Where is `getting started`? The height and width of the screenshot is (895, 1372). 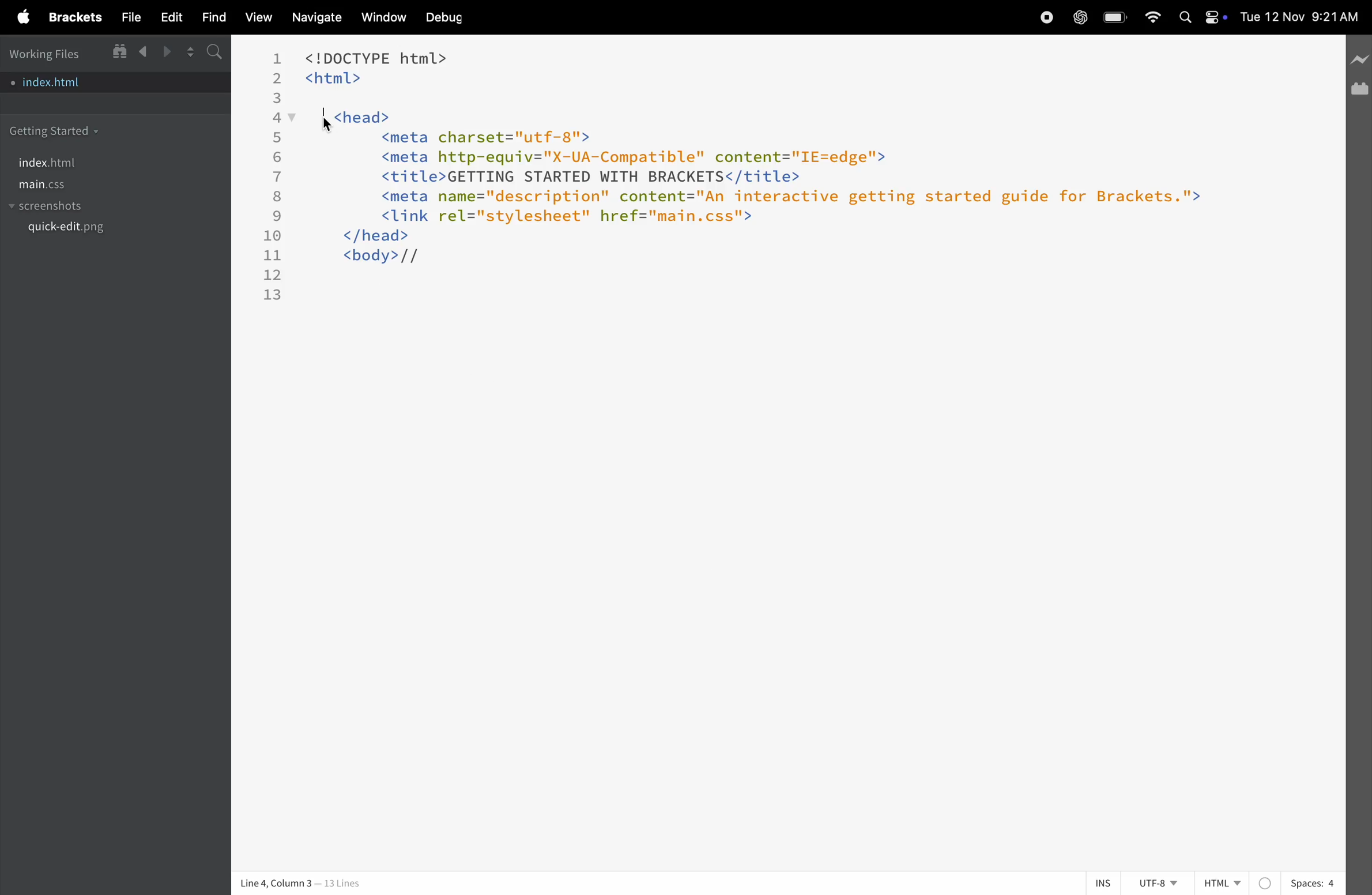
getting started is located at coordinates (64, 130).